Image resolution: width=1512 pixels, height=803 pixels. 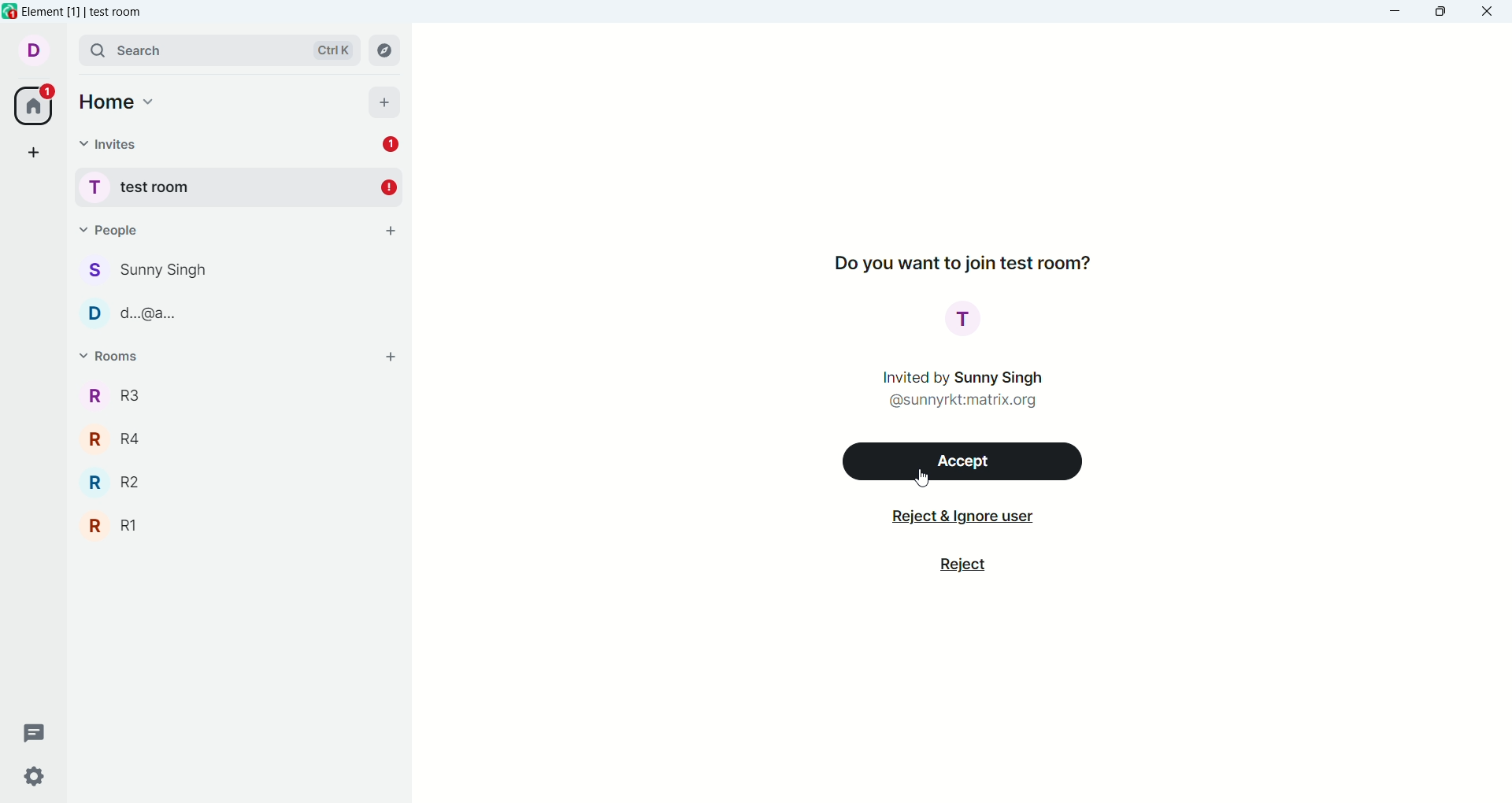 What do you see at coordinates (391, 356) in the screenshot?
I see `add room` at bounding box center [391, 356].